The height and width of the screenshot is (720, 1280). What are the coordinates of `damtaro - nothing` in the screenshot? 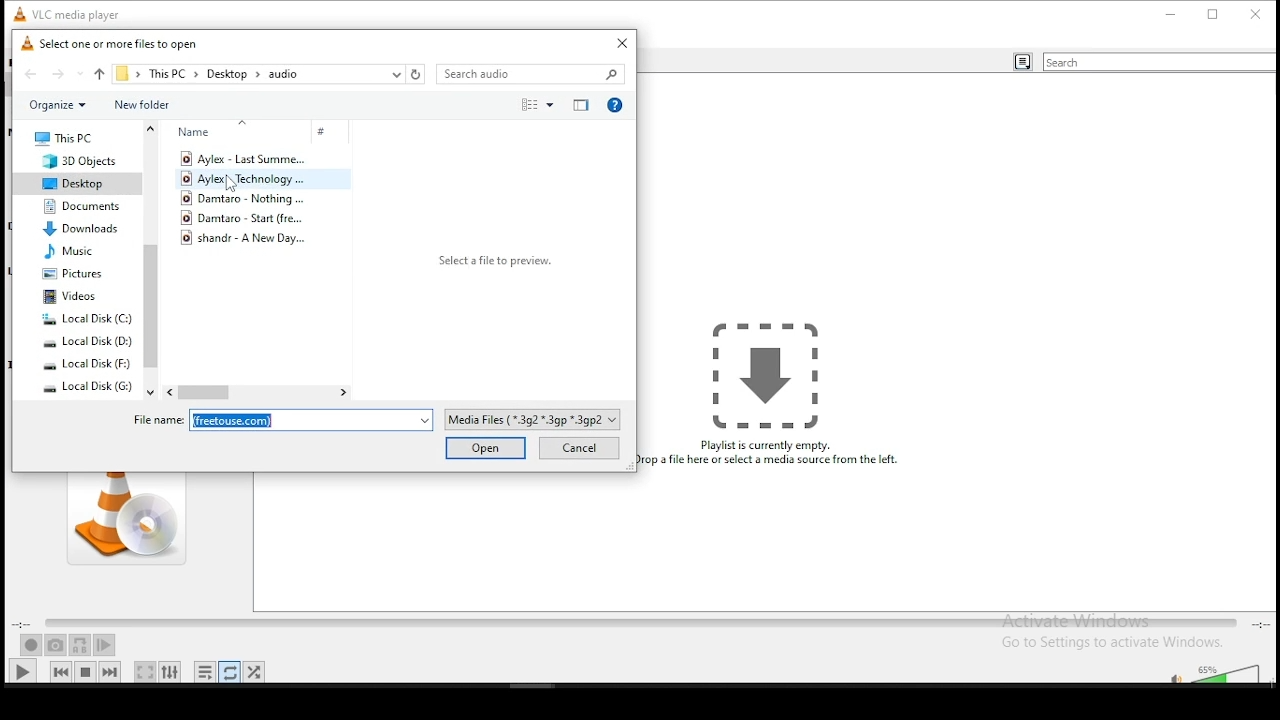 It's located at (247, 198).